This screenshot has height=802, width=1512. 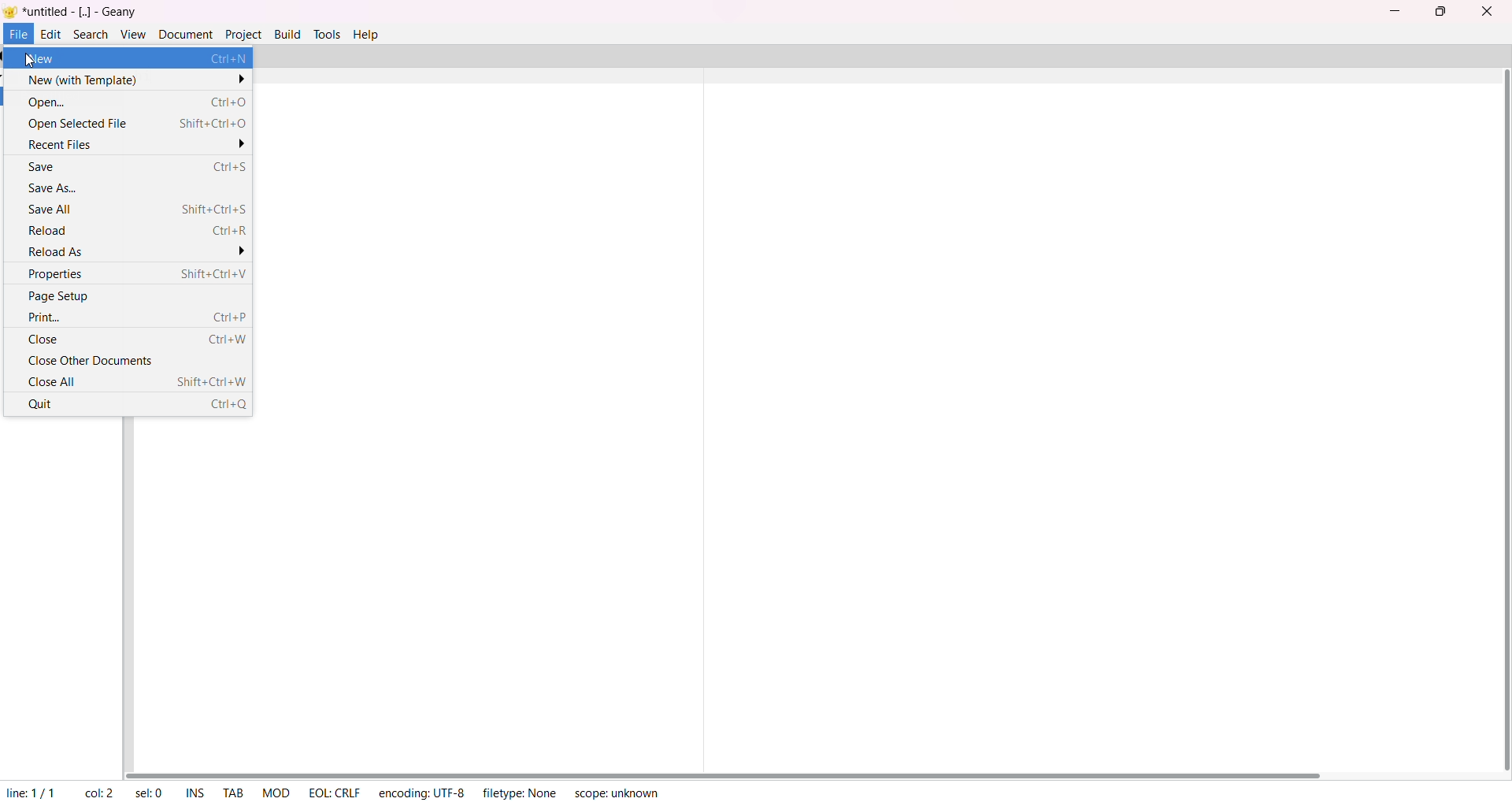 I want to click on page setup, so click(x=61, y=295).